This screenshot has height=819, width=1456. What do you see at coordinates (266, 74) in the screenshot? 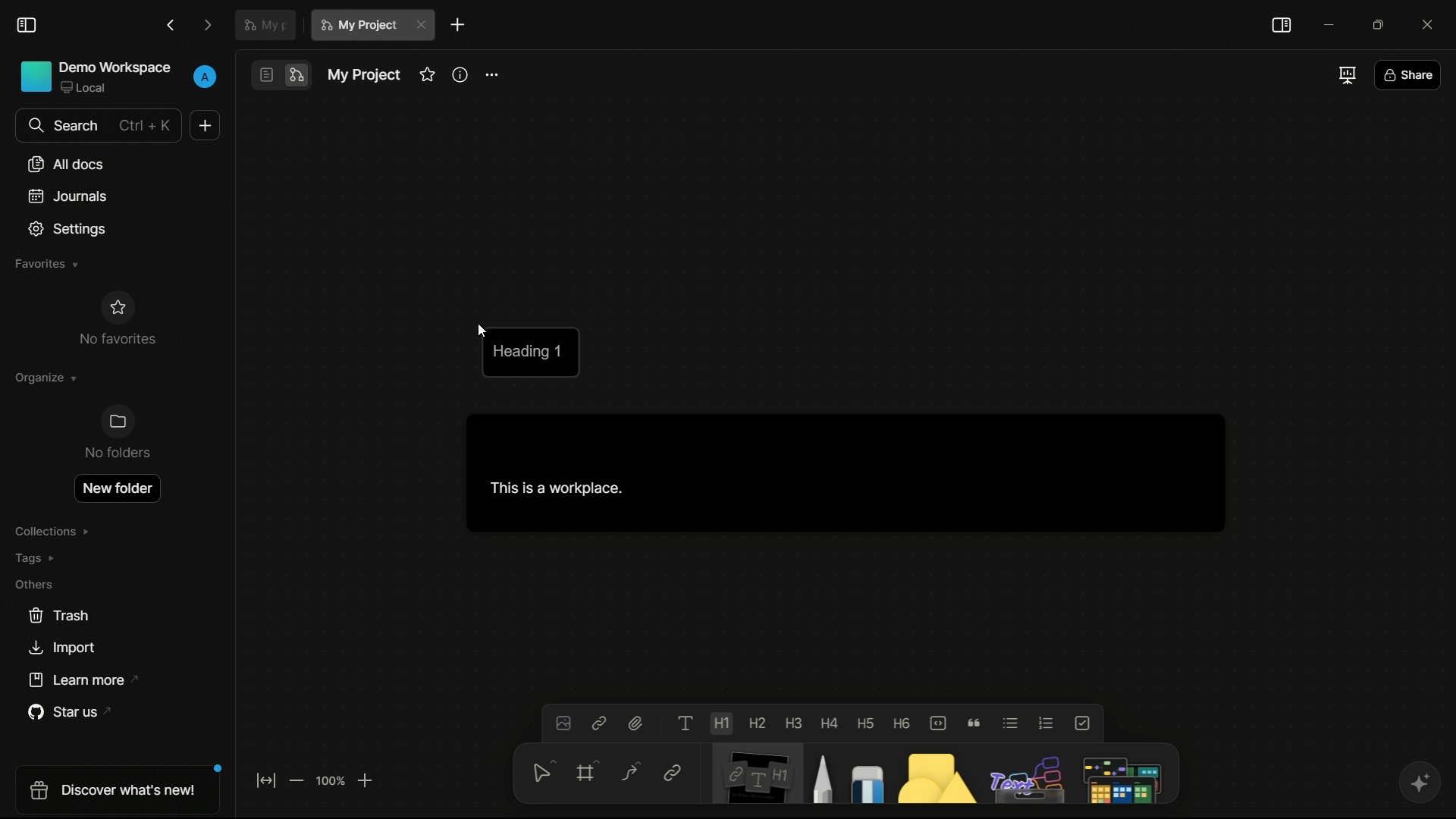
I see `page mode` at bounding box center [266, 74].